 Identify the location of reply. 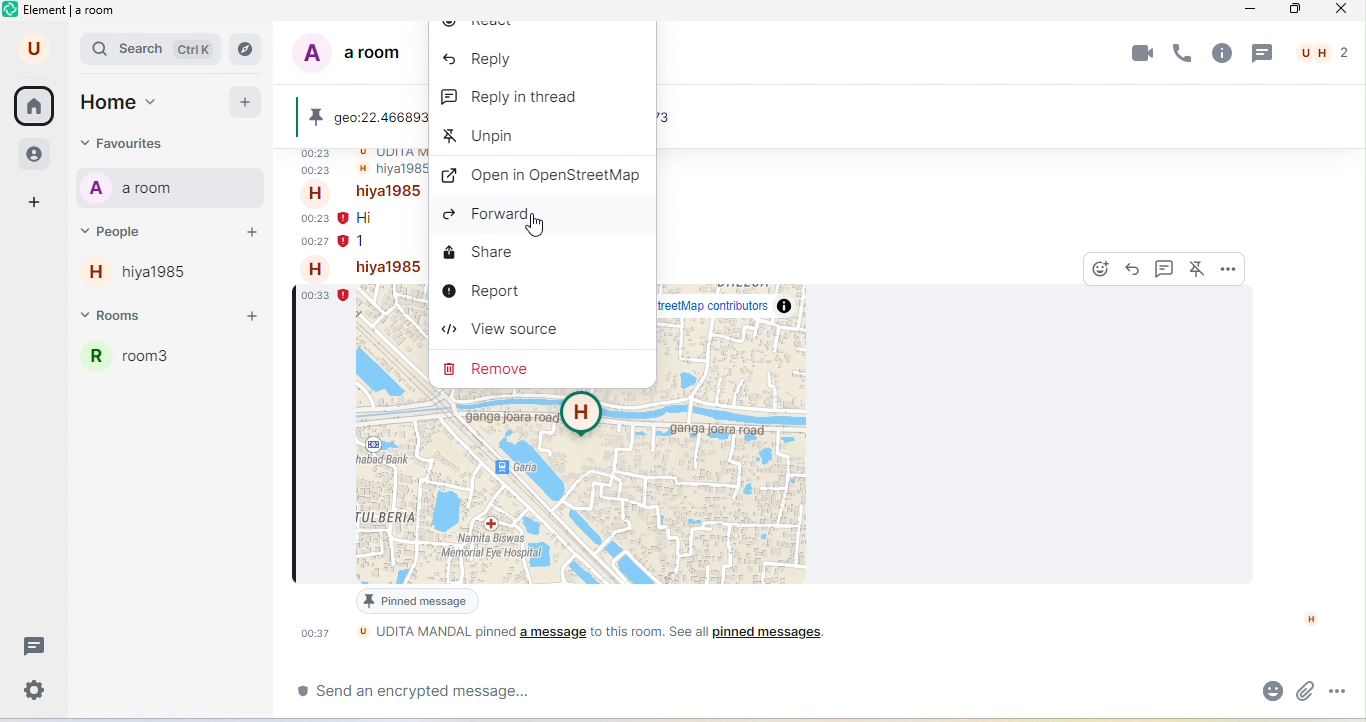
(481, 60).